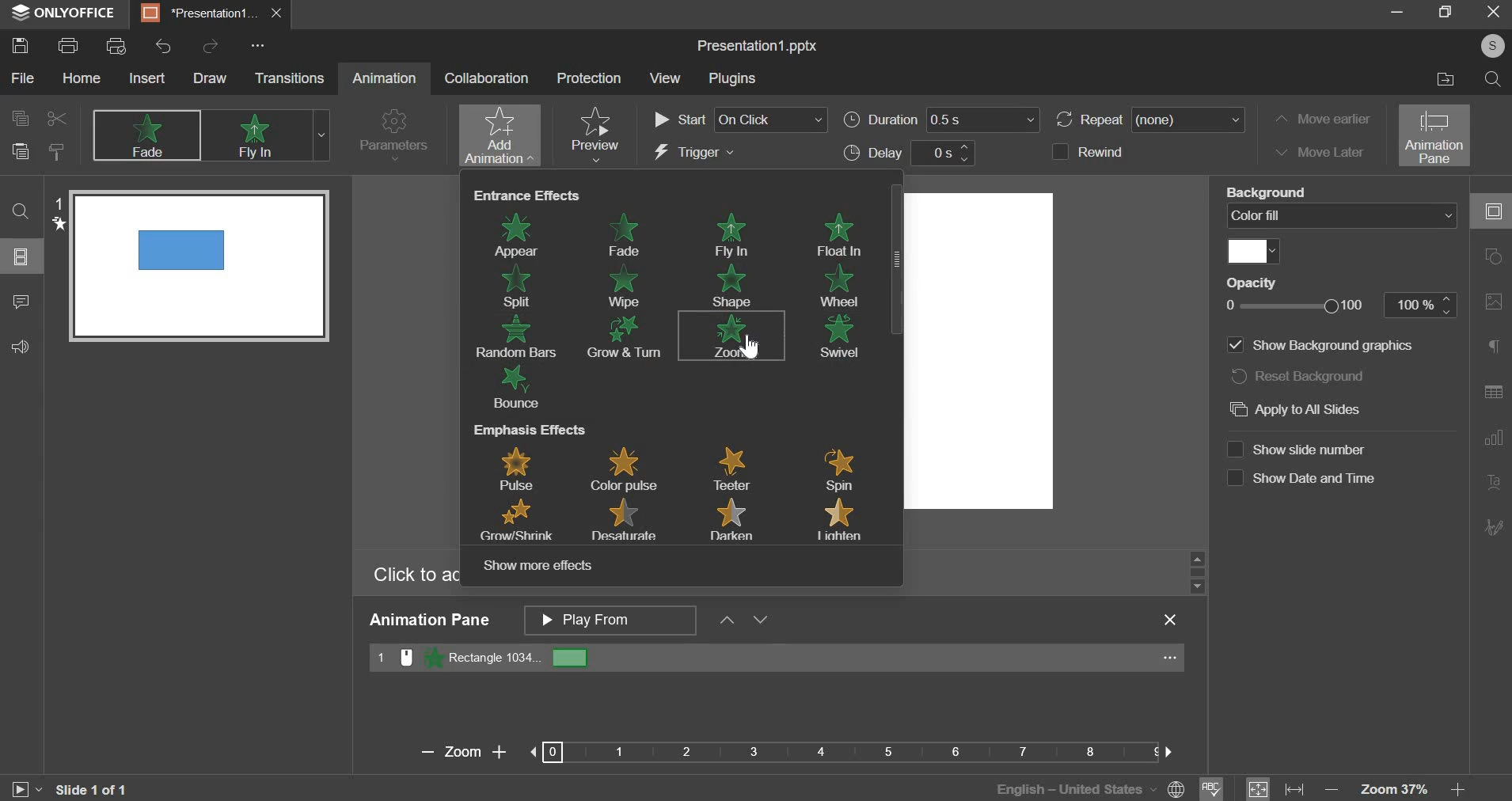 This screenshot has width=1512, height=801. What do you see at coordinates (520, 469) in the screenshot?
I see `pulse` at bounding box center [520, 469].